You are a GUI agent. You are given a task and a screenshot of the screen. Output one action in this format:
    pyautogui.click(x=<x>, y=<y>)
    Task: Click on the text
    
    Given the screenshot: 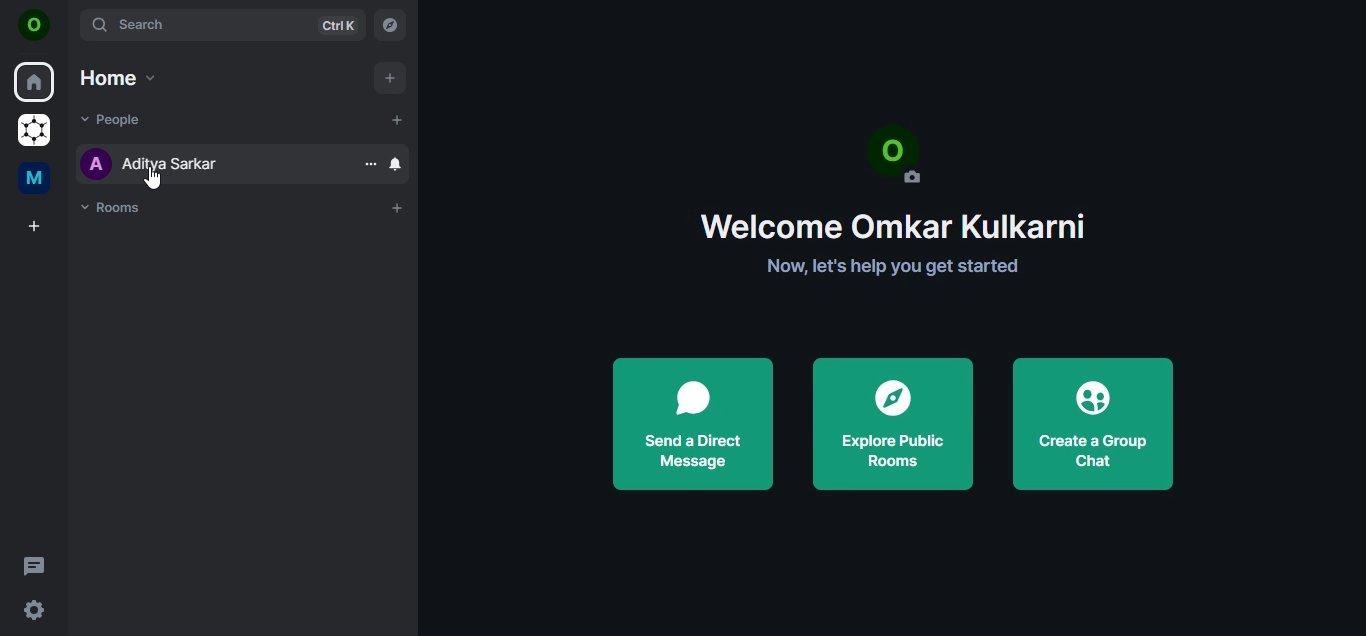 What is the action you would take?
    pyautogui.click(x=894, y=198)
    